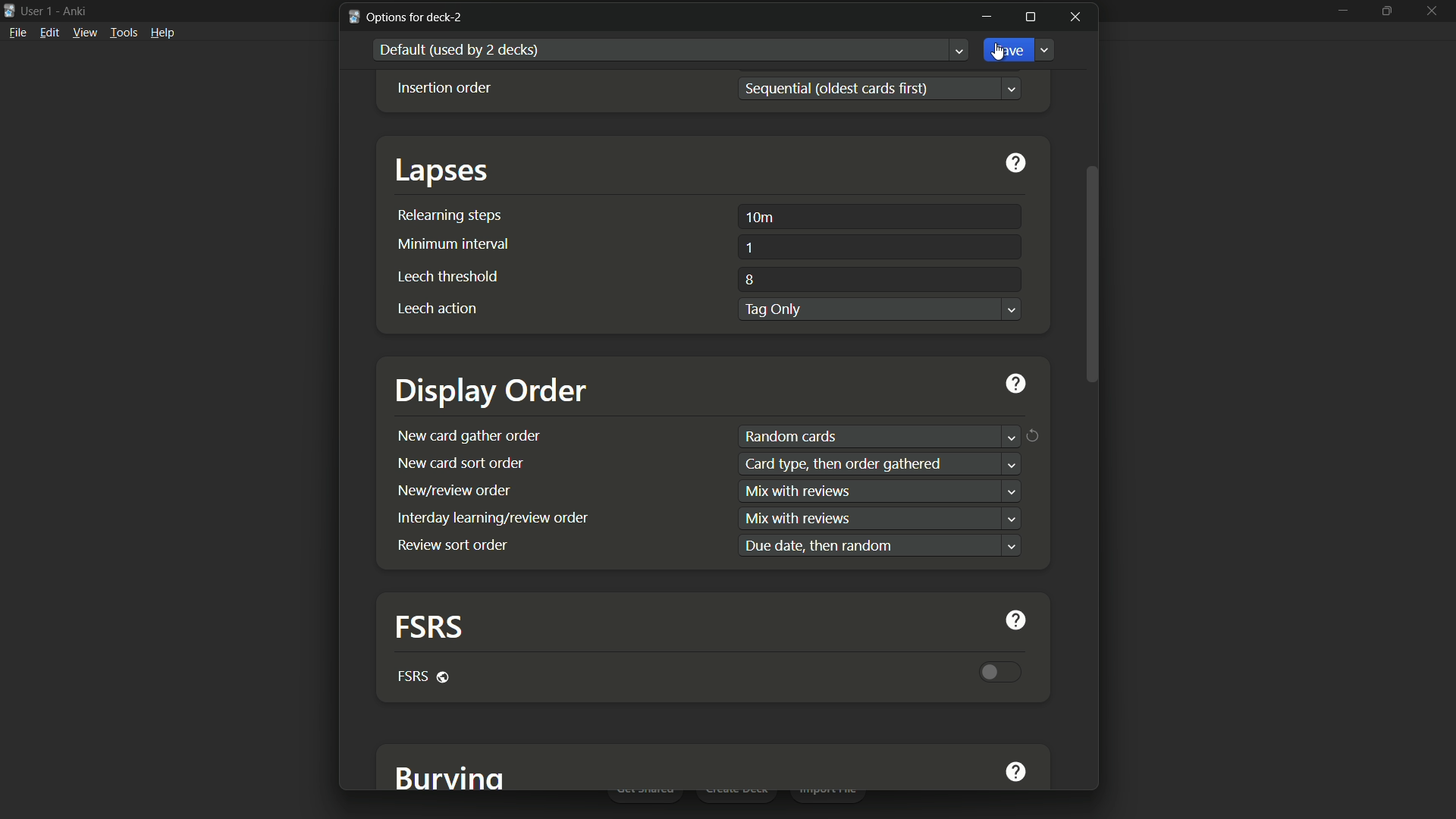 The height and width of the screenshot is (819, 1456). What do you see at coordinates (452, 544) in the screenshot?
I see `review sort order` at bounding box center [452, 544].